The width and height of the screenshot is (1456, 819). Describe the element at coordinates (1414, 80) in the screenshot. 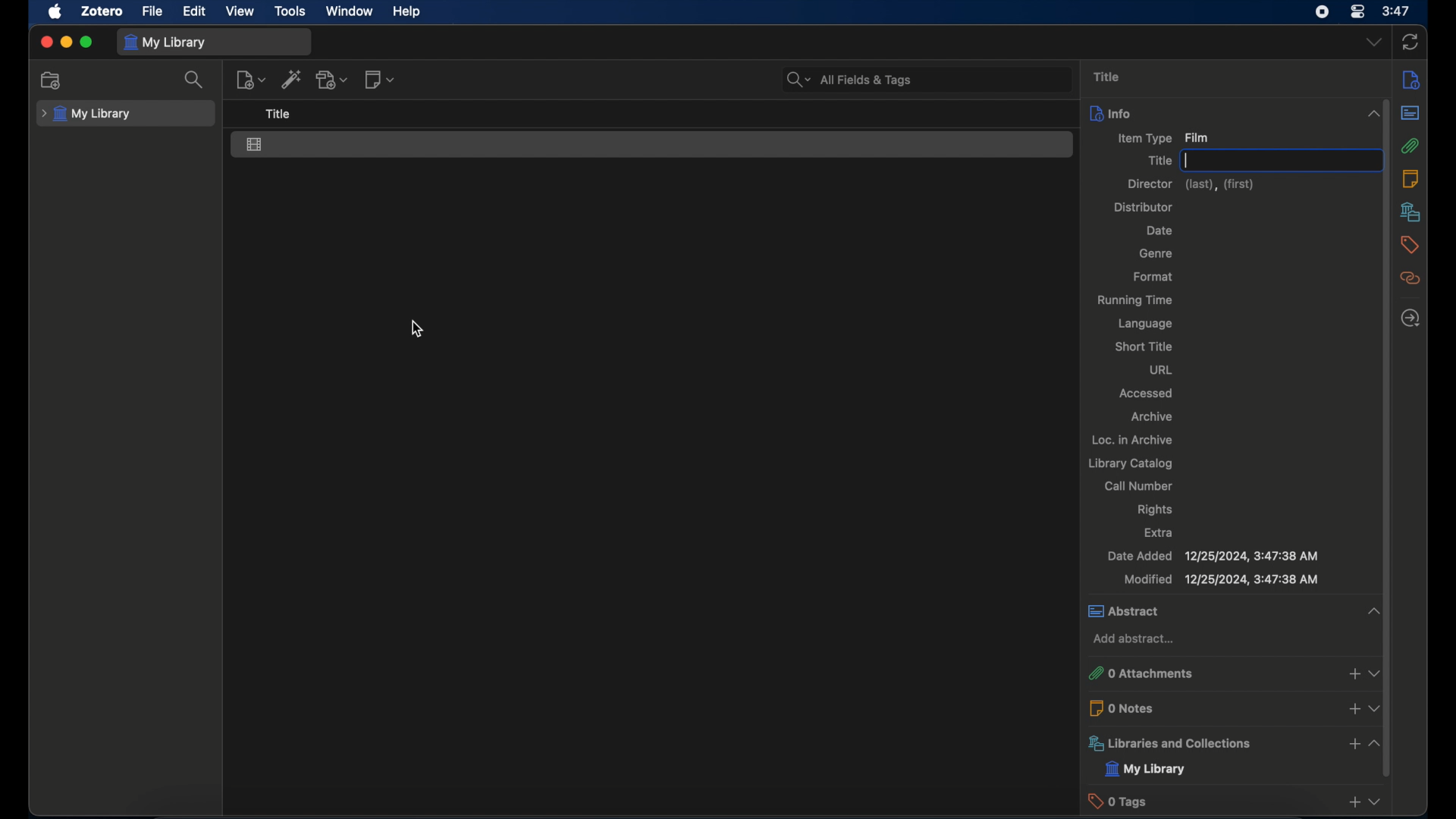

I see `info` at that location.